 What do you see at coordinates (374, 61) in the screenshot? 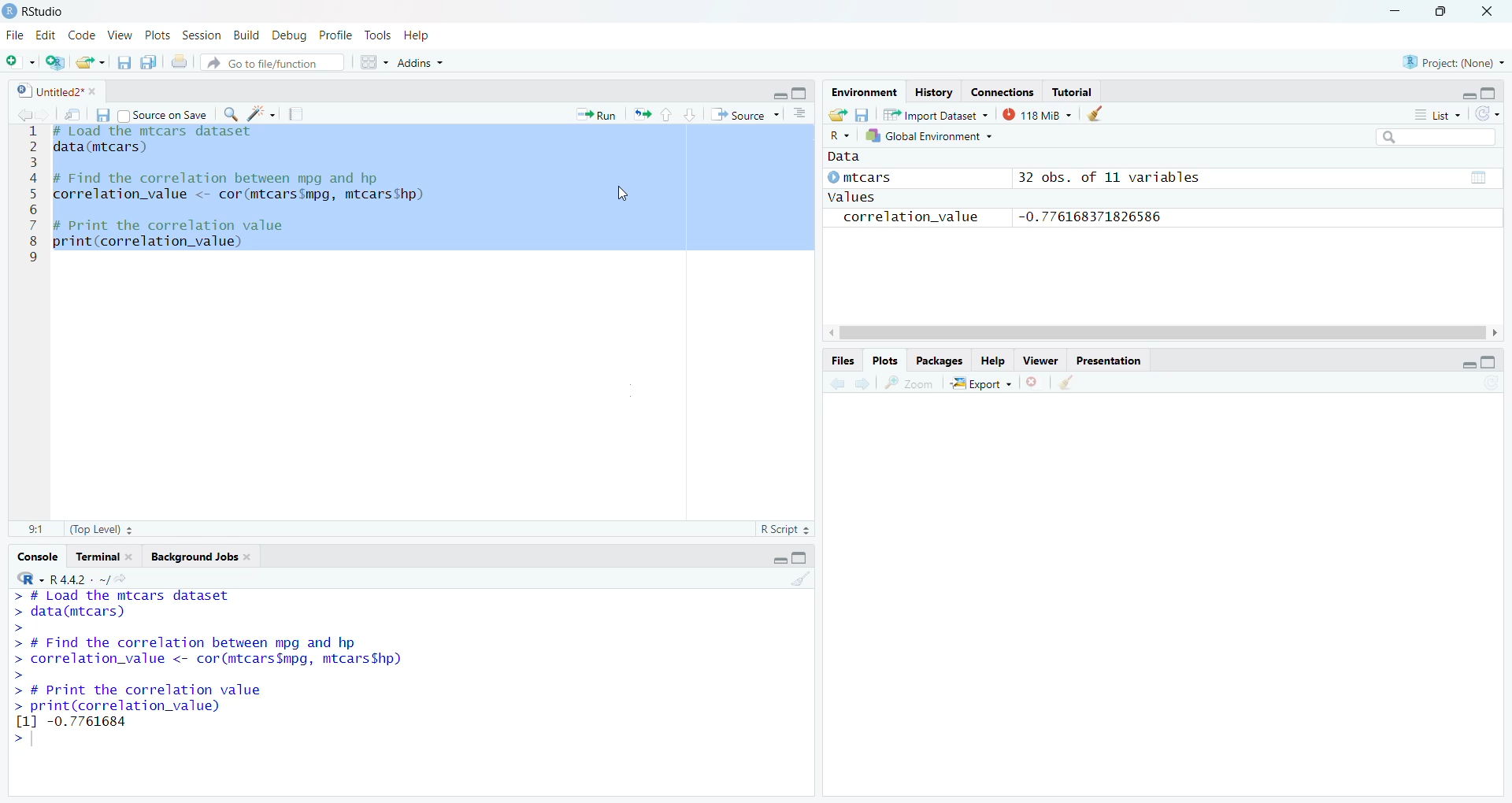
I see `Workspace panes` at bounding box center [374, 61].